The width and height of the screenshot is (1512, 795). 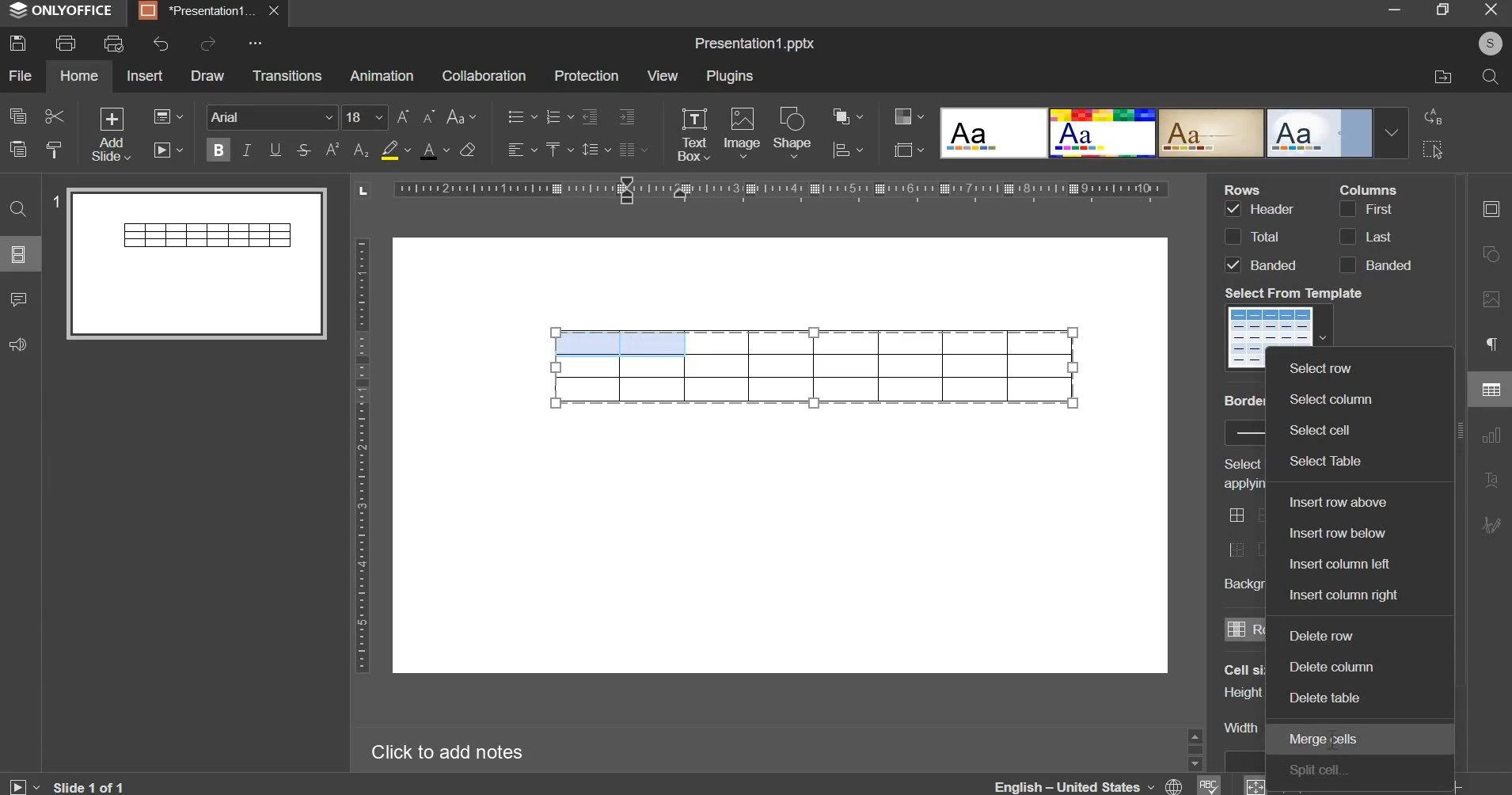 What do you see at coordinates (1342, 595) in the screenshot?
I see `insert column right` at bounding box center [1342, 595].